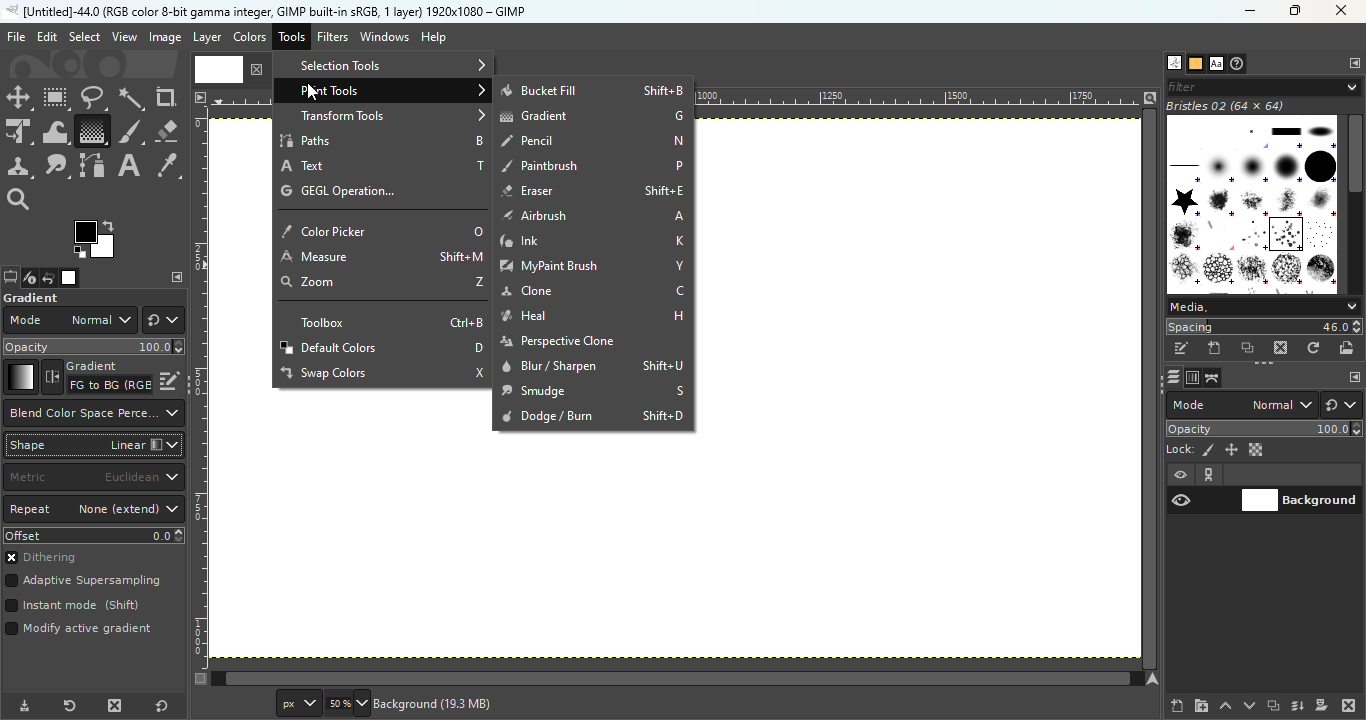 This screenshot has width=1366, height=720. Describe the element at coordinates (384, 37) in the screenshot. I see `Windows` at that location.